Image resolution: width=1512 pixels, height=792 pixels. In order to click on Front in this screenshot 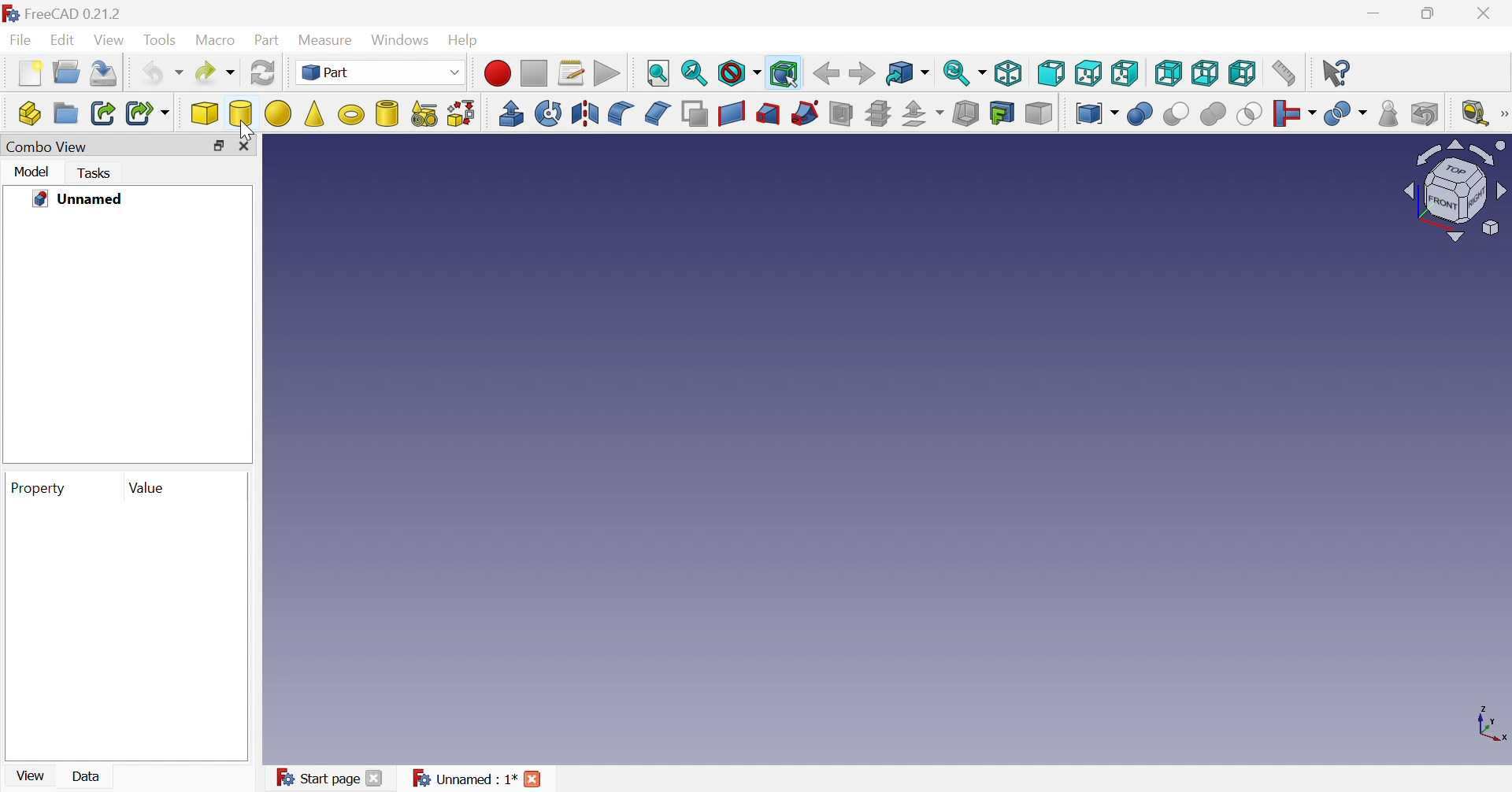, I will do `click(1051, 72)`.